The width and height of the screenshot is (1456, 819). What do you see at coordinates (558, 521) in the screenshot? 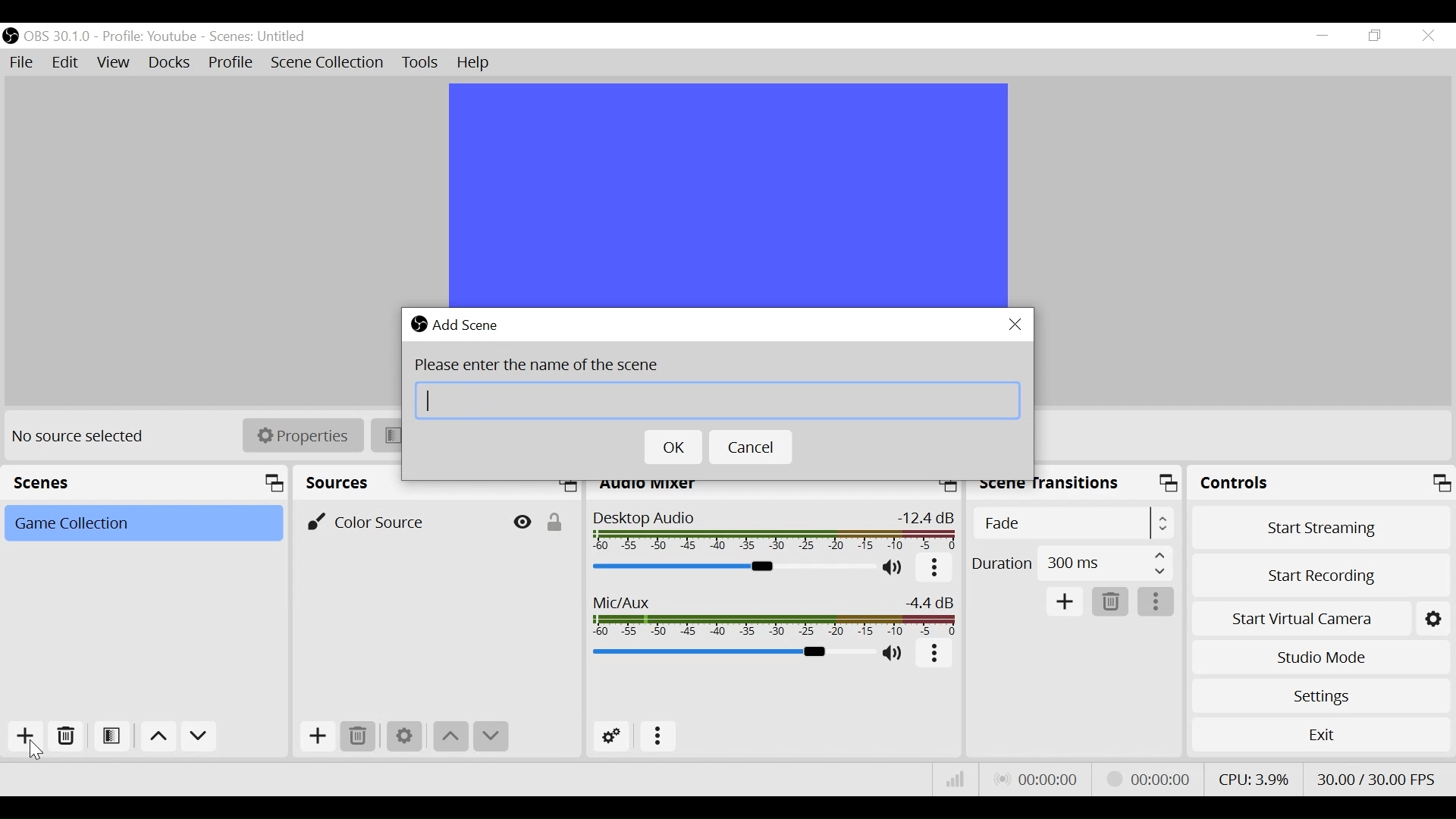
I see `(un)lock` at bounding box center [558, 521].